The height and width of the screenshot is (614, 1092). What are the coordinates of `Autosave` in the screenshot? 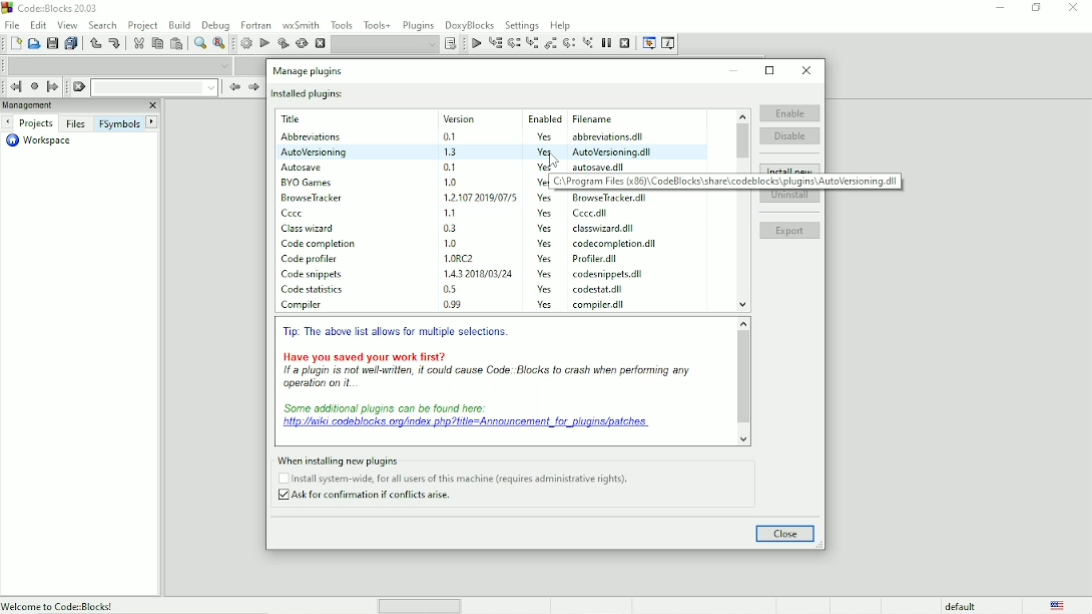 It's located at (302, 168).